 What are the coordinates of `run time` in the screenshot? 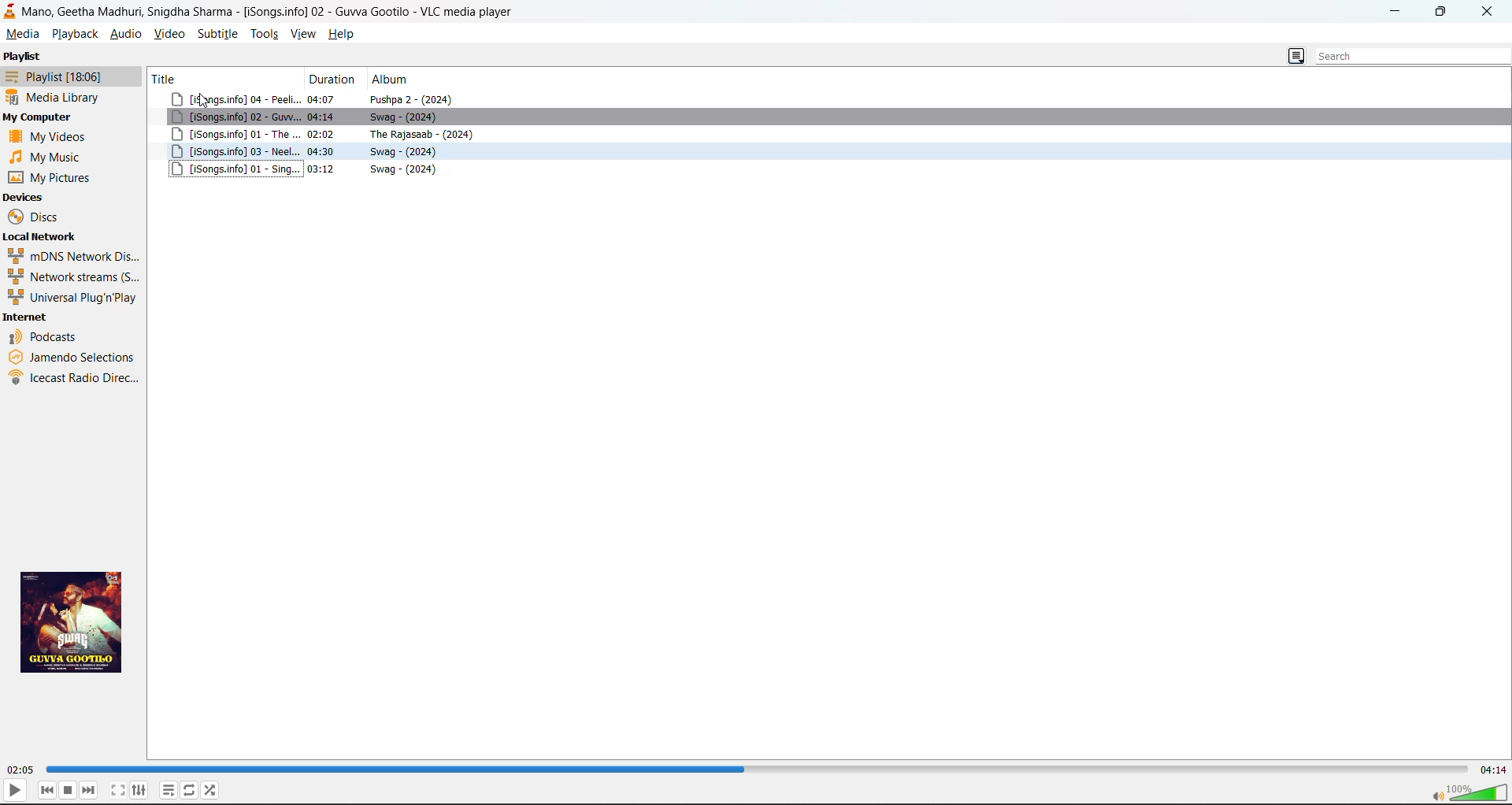 It's located at (22, 770).